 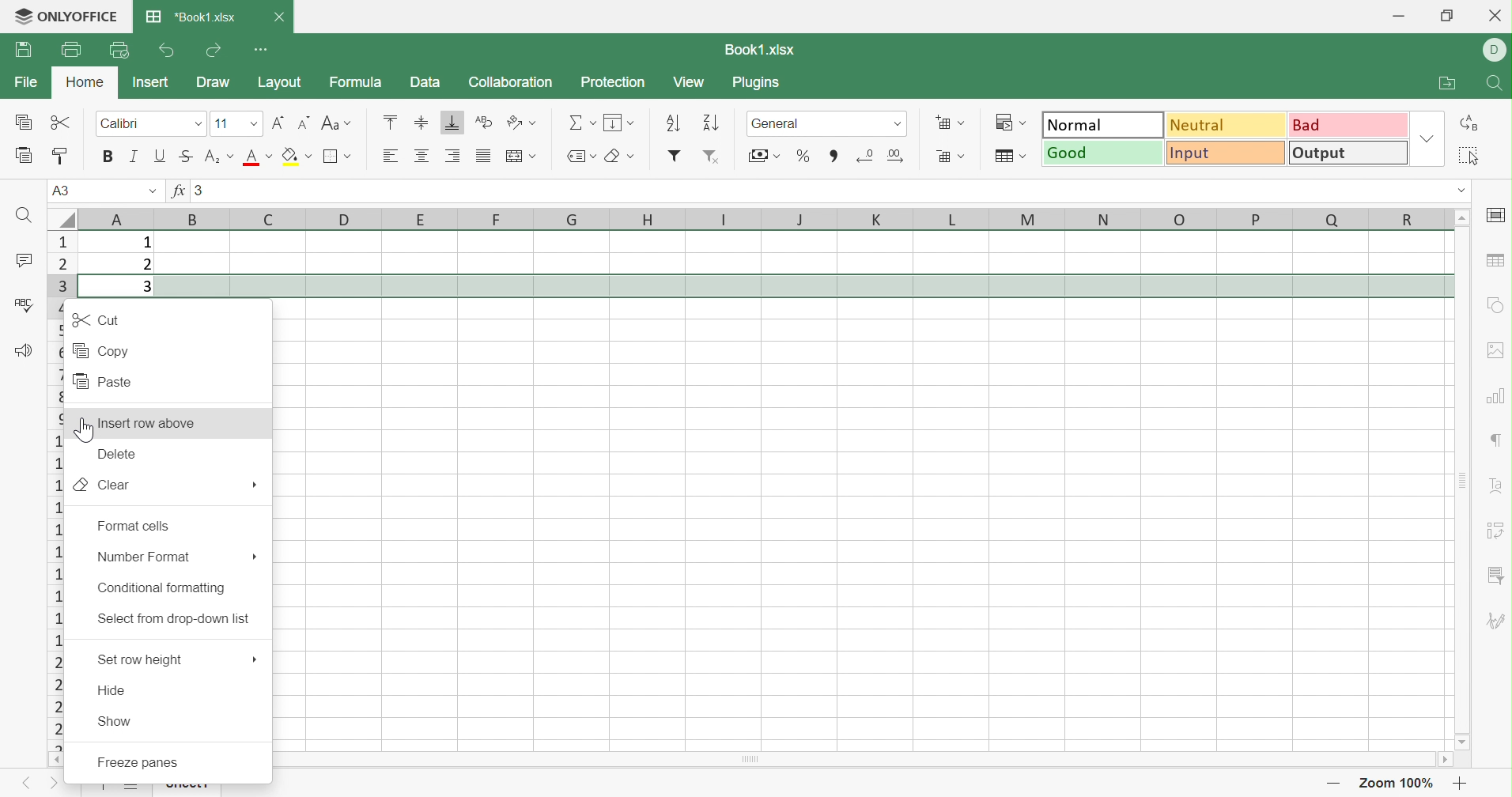 What do you see at coordinates (961, 123) in the screenshot?
I see `Drop Down` at bounding box center [961, 123].